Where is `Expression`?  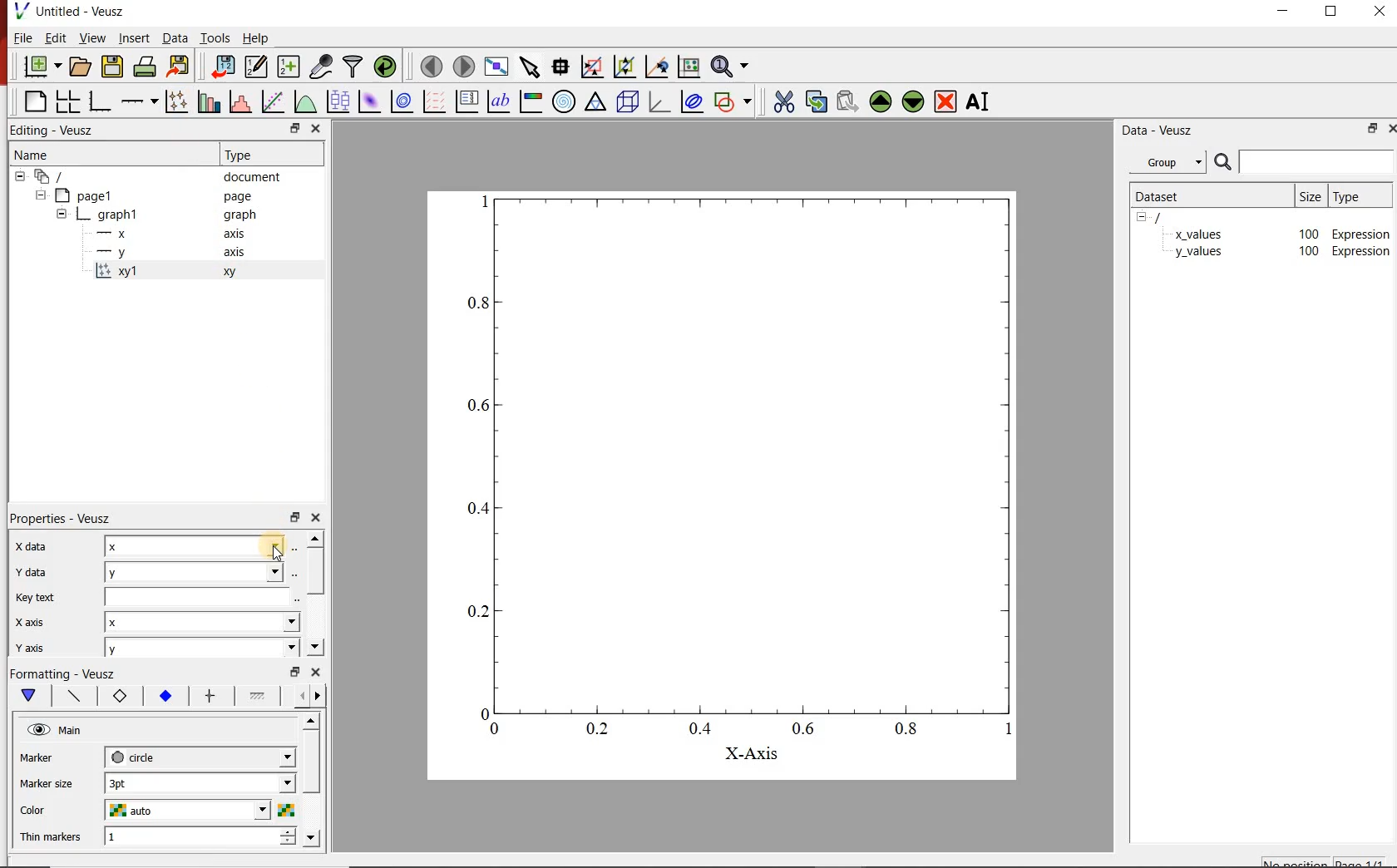 Expression is located at coordinates (1362, 232).